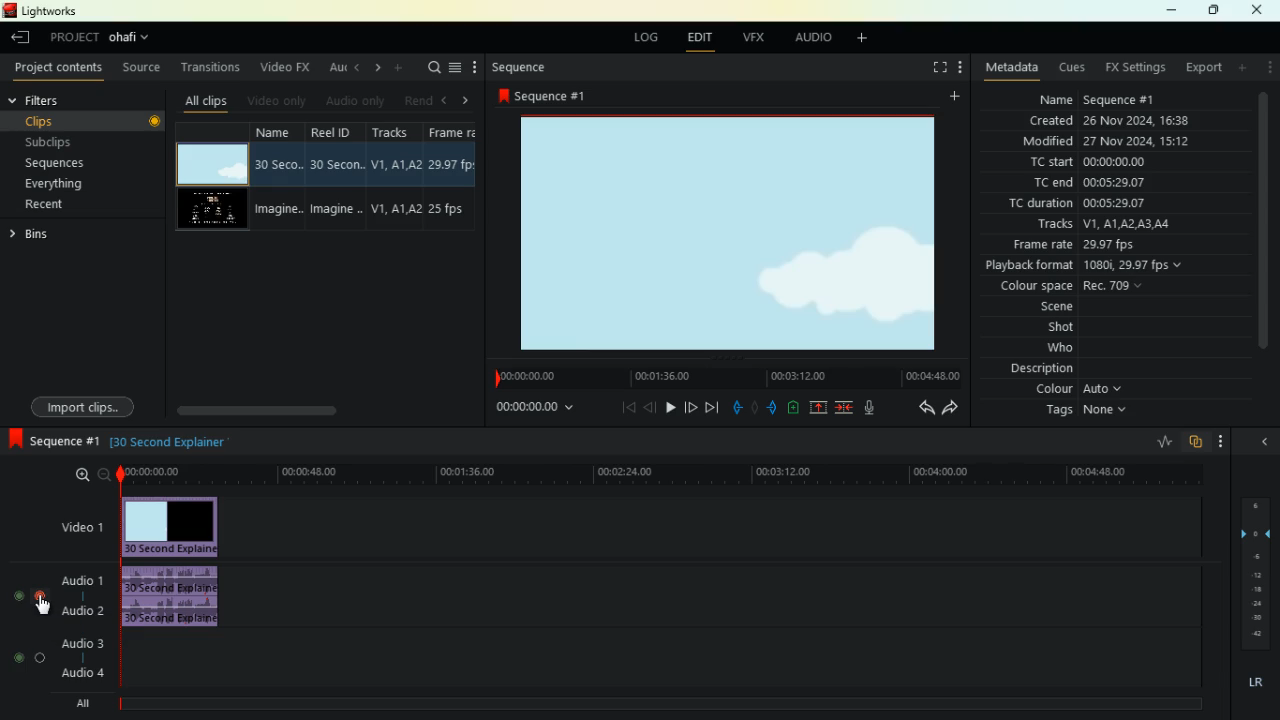  Describe the element at coordinates (456, 67) in the screenshot. I see `menu` at that location.